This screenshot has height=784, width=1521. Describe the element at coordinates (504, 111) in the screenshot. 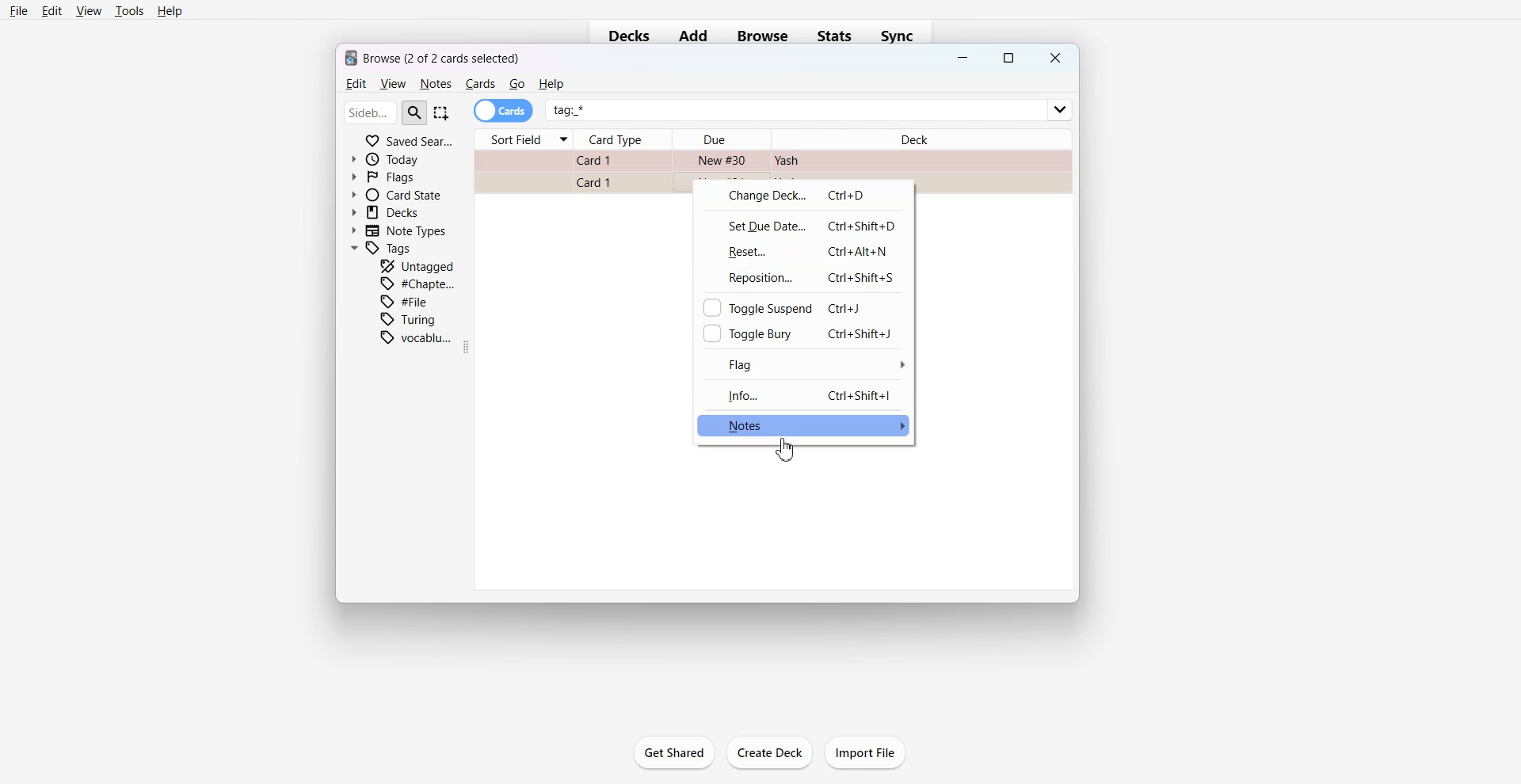

I see `Cards` at that location.